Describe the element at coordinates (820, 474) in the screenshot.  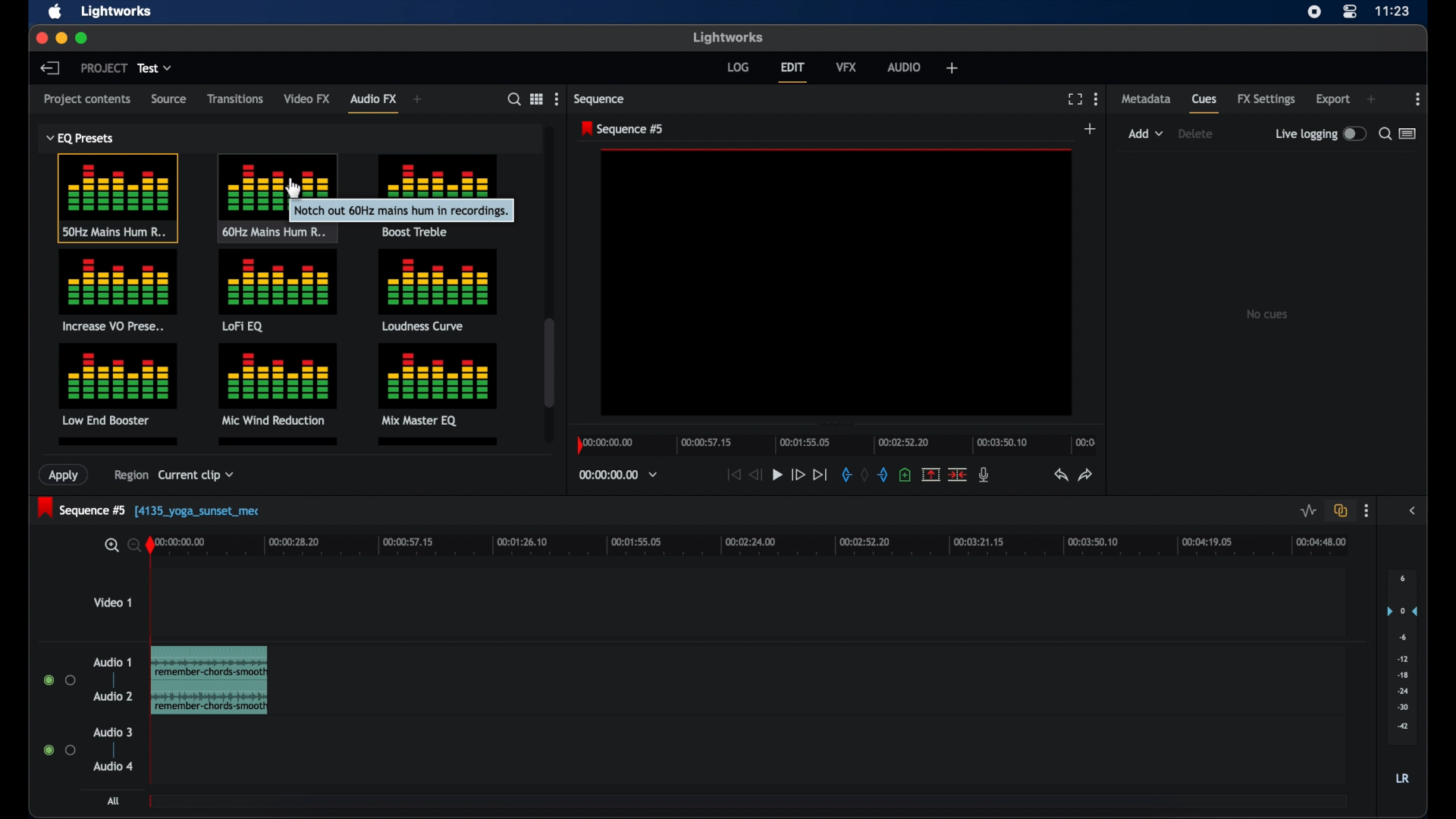
I see `jump to end` at that location.